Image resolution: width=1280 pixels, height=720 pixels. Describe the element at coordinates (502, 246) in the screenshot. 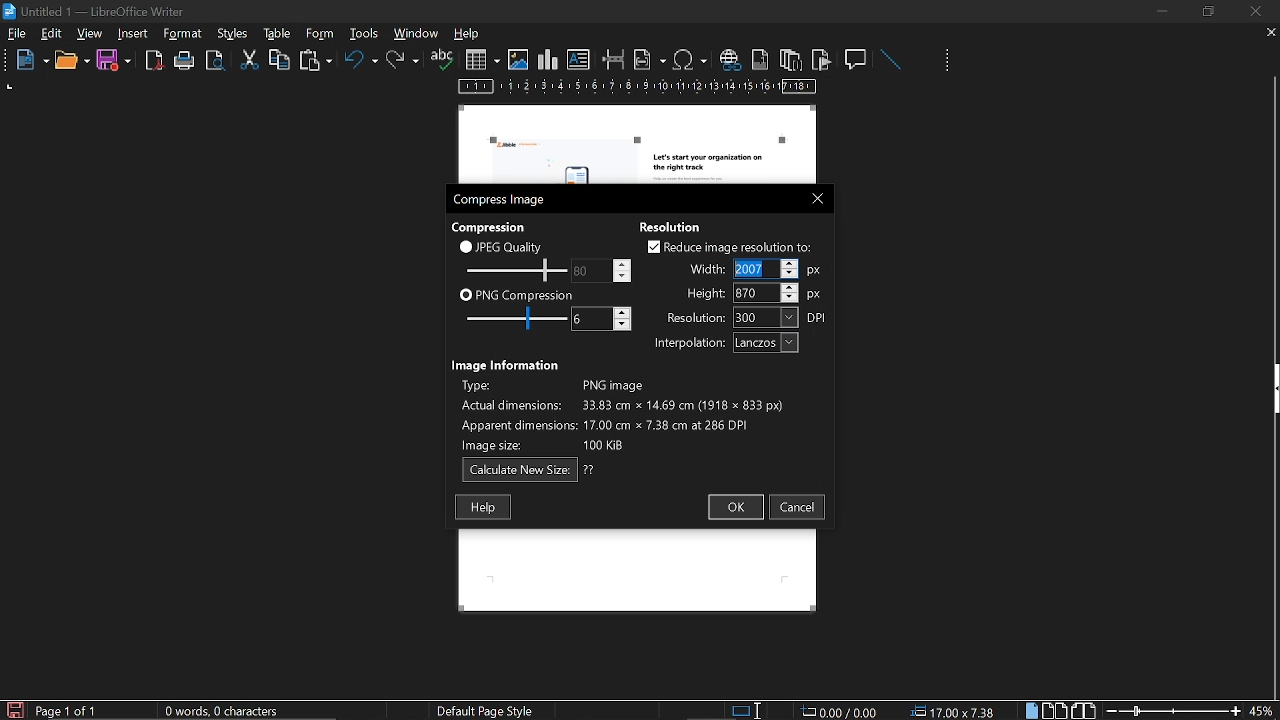

I see `jpeg quality` at that location.